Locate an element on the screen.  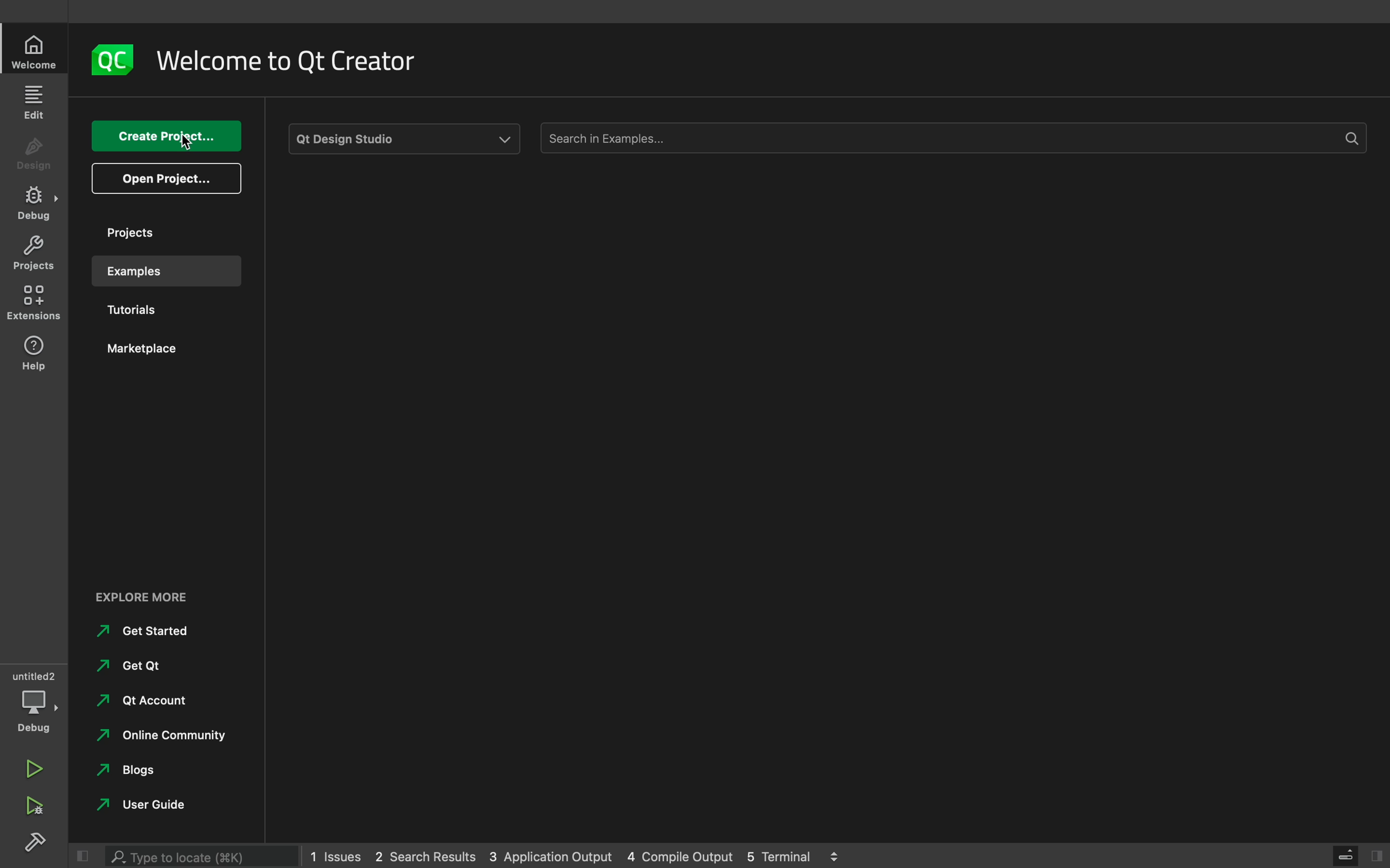
debug is located at coordinates (32, 703).